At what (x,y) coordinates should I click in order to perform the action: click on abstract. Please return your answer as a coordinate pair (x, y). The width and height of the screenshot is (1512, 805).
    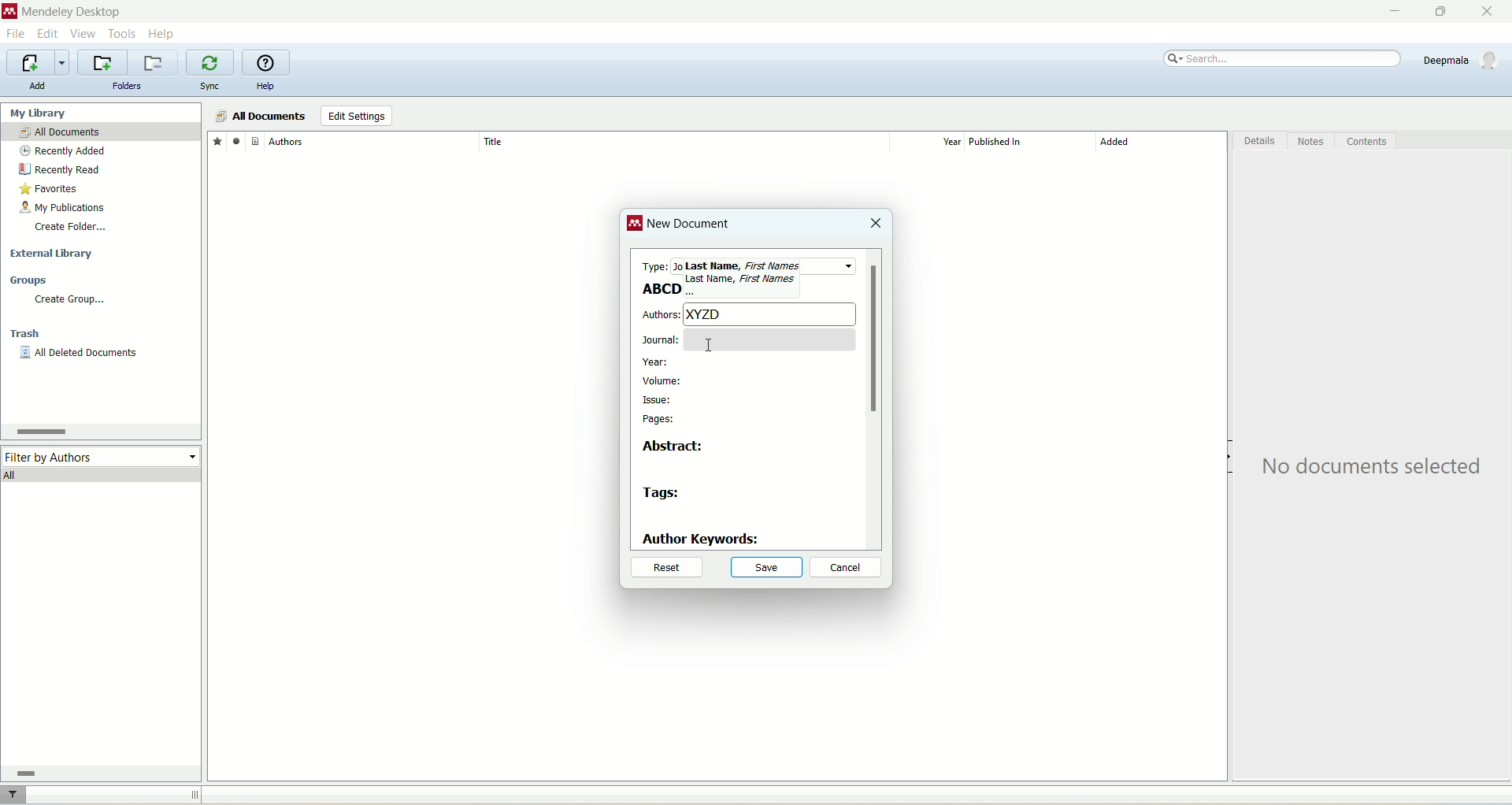
    Looking at the image, I should click on (678, 446).